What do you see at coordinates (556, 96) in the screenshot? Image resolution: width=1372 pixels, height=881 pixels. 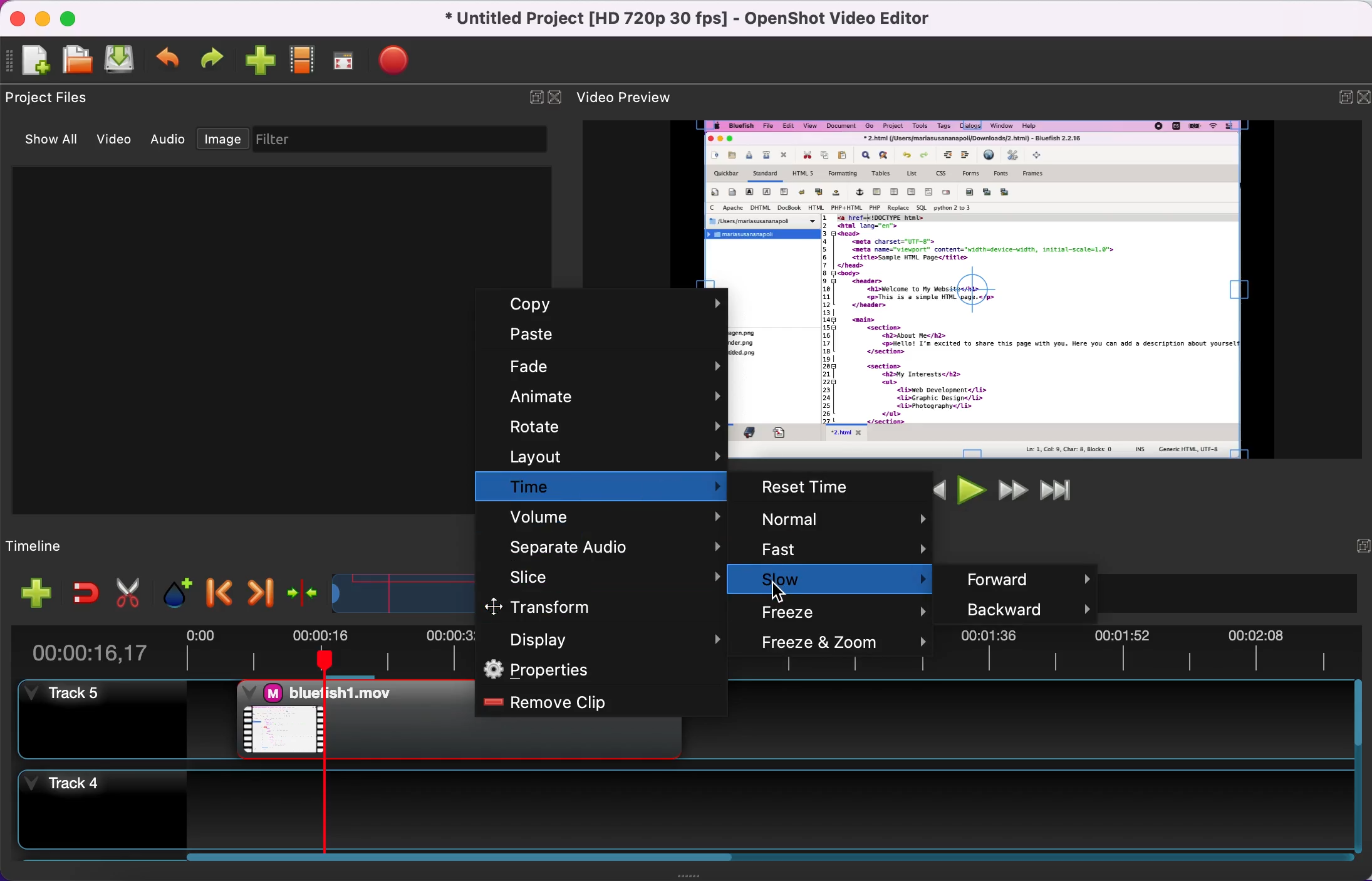 I see `close` at bounding box center [556, 96].